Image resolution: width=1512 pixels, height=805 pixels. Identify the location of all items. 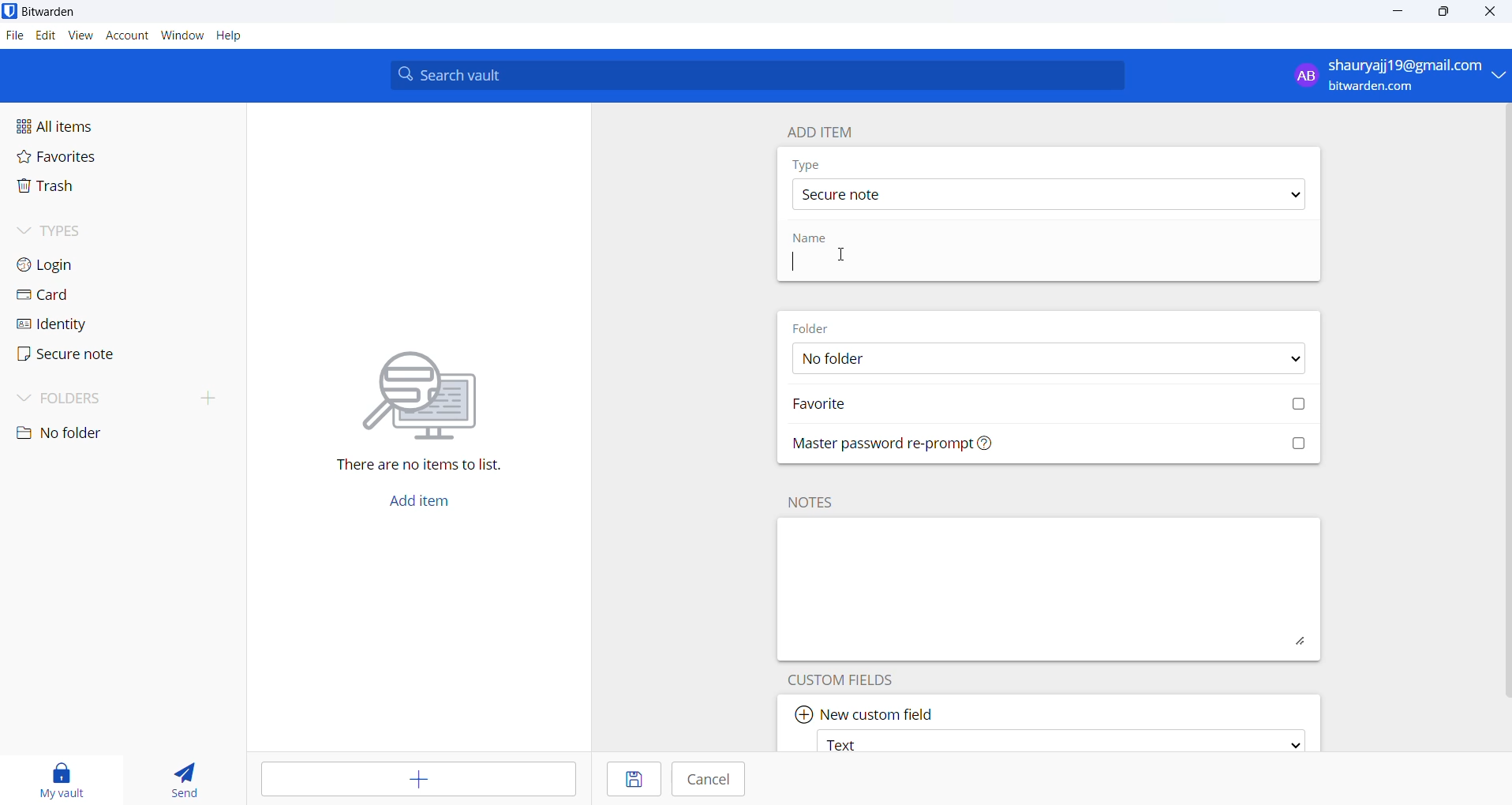
(88, 127).